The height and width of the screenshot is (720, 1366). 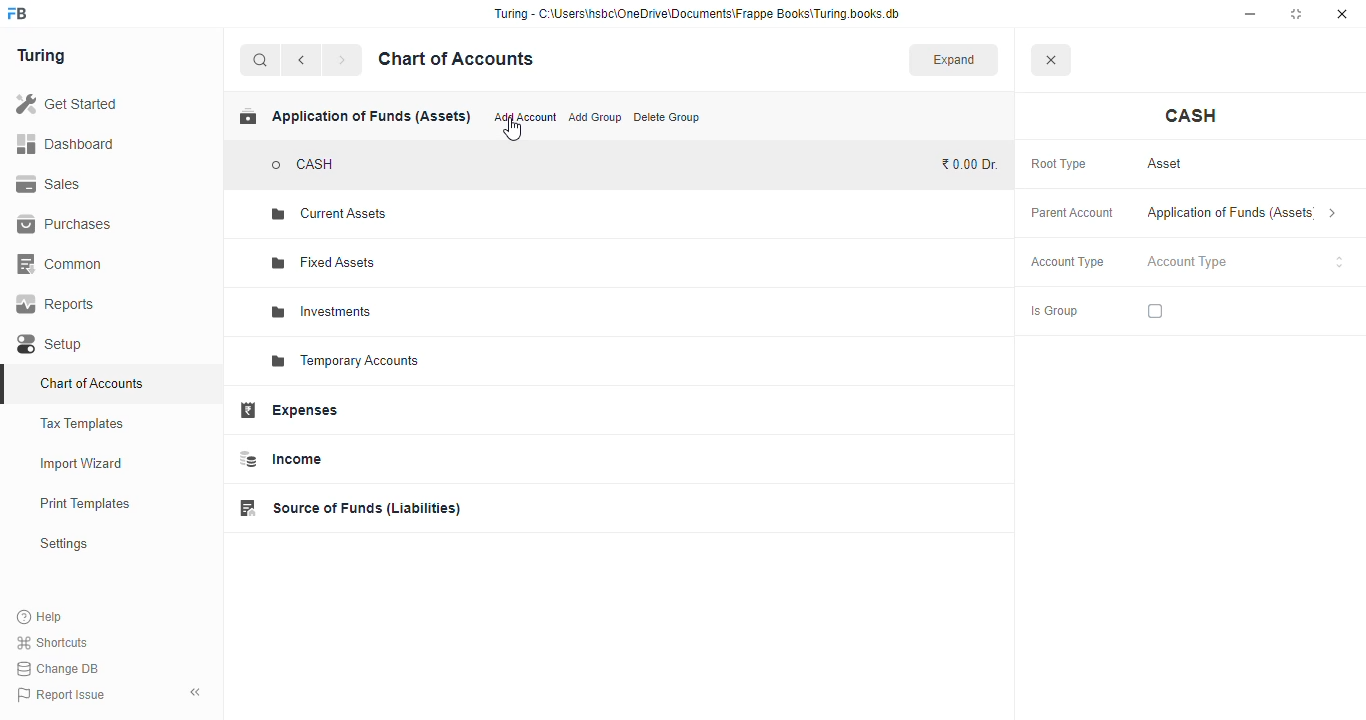 I want to click on fixed assets, so click(x=326, y=263).